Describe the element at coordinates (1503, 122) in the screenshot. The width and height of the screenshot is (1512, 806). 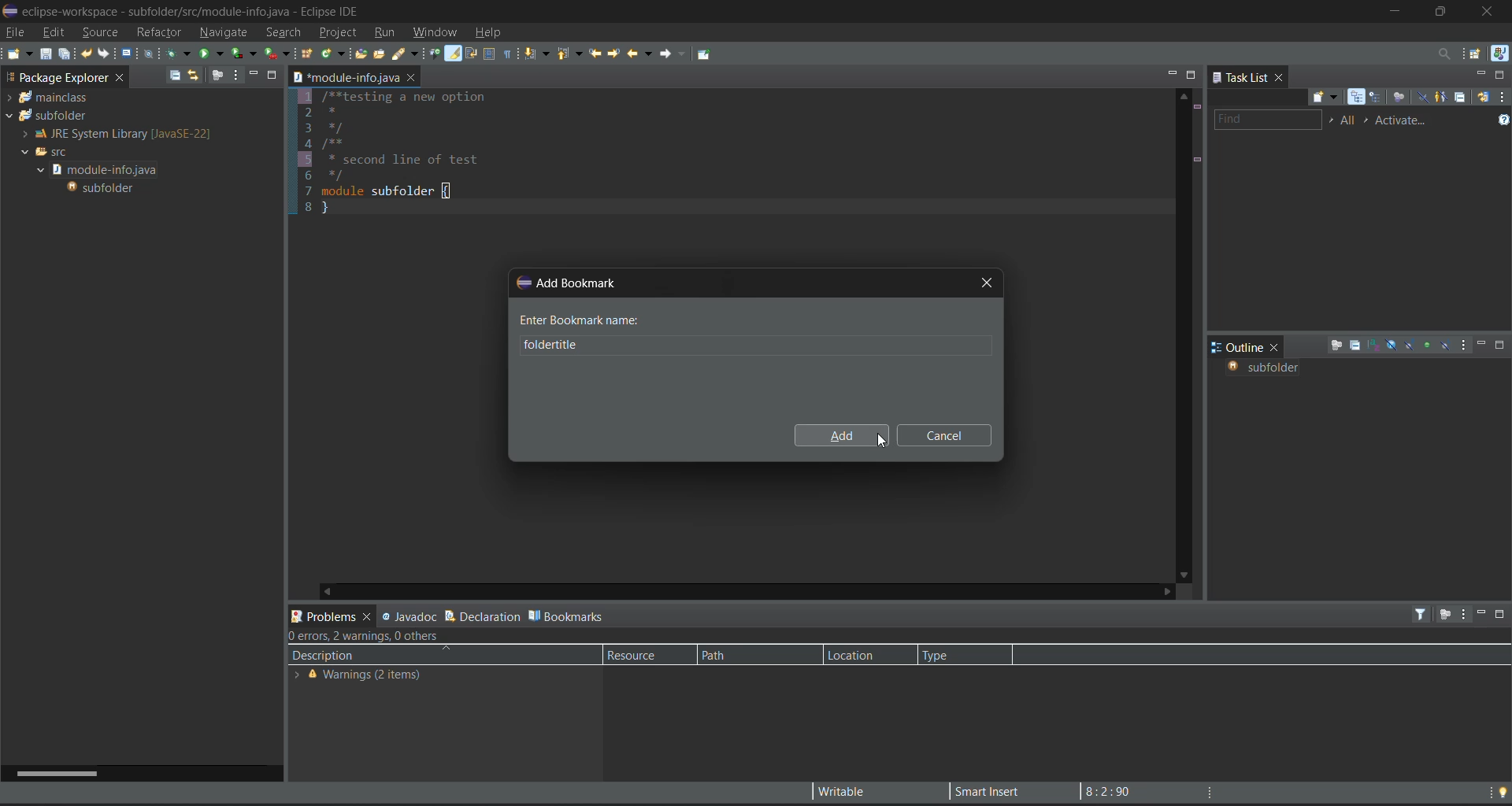
I see `show tasks UI legend` at that location.